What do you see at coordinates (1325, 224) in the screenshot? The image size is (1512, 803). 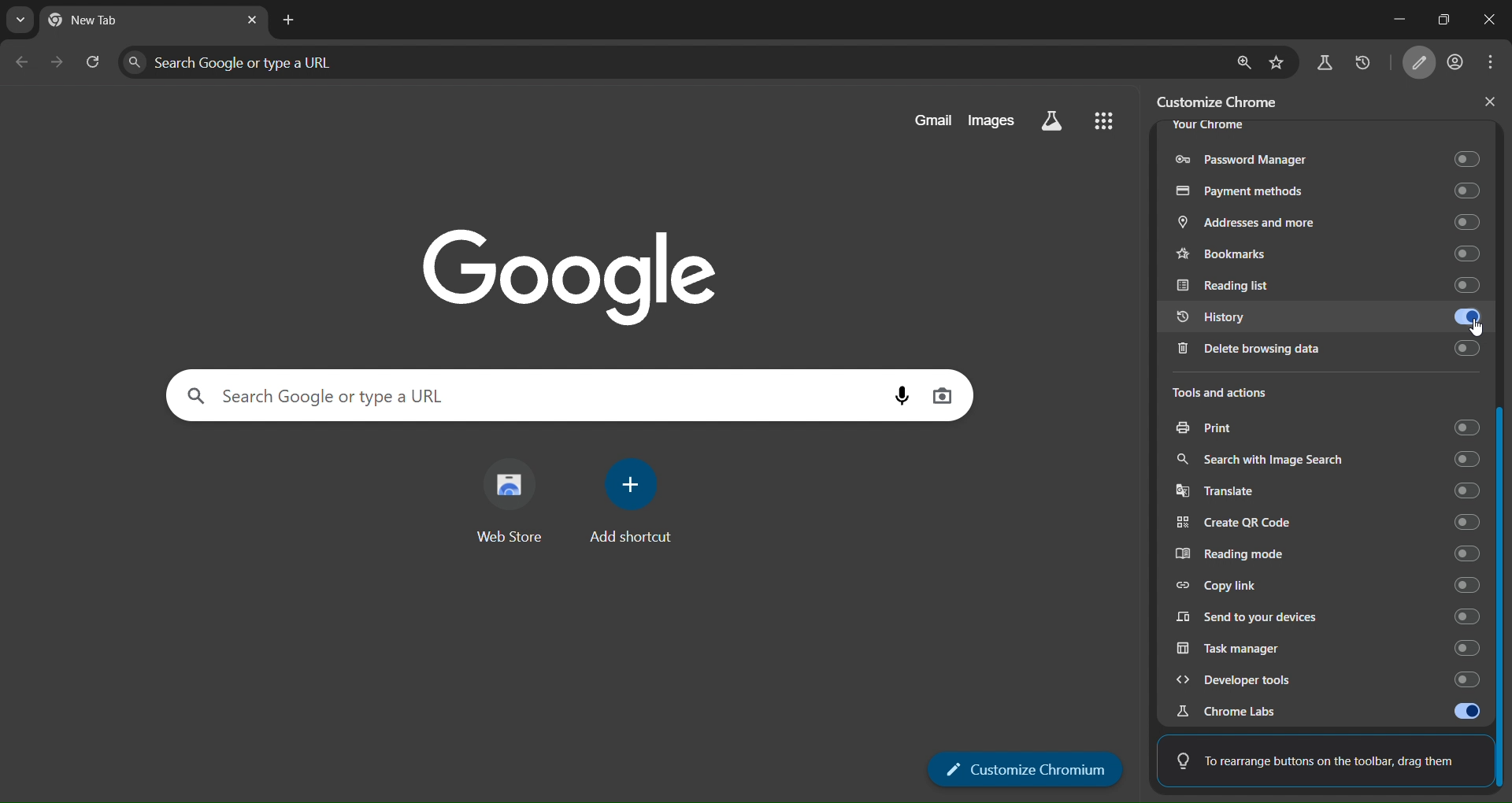 I see `addresses and more` at bounding box center [1325, 224].